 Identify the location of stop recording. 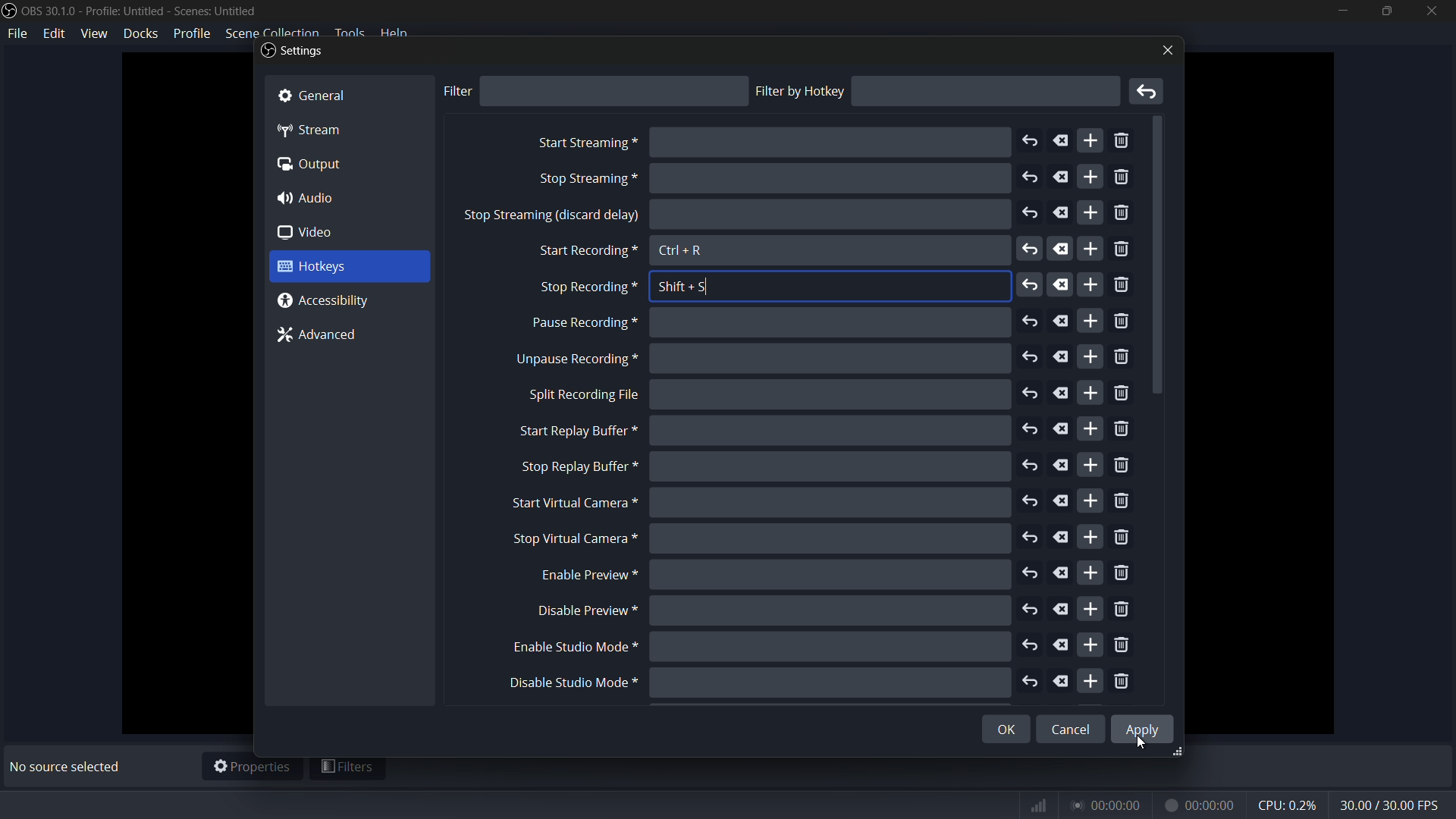
(586, 288).